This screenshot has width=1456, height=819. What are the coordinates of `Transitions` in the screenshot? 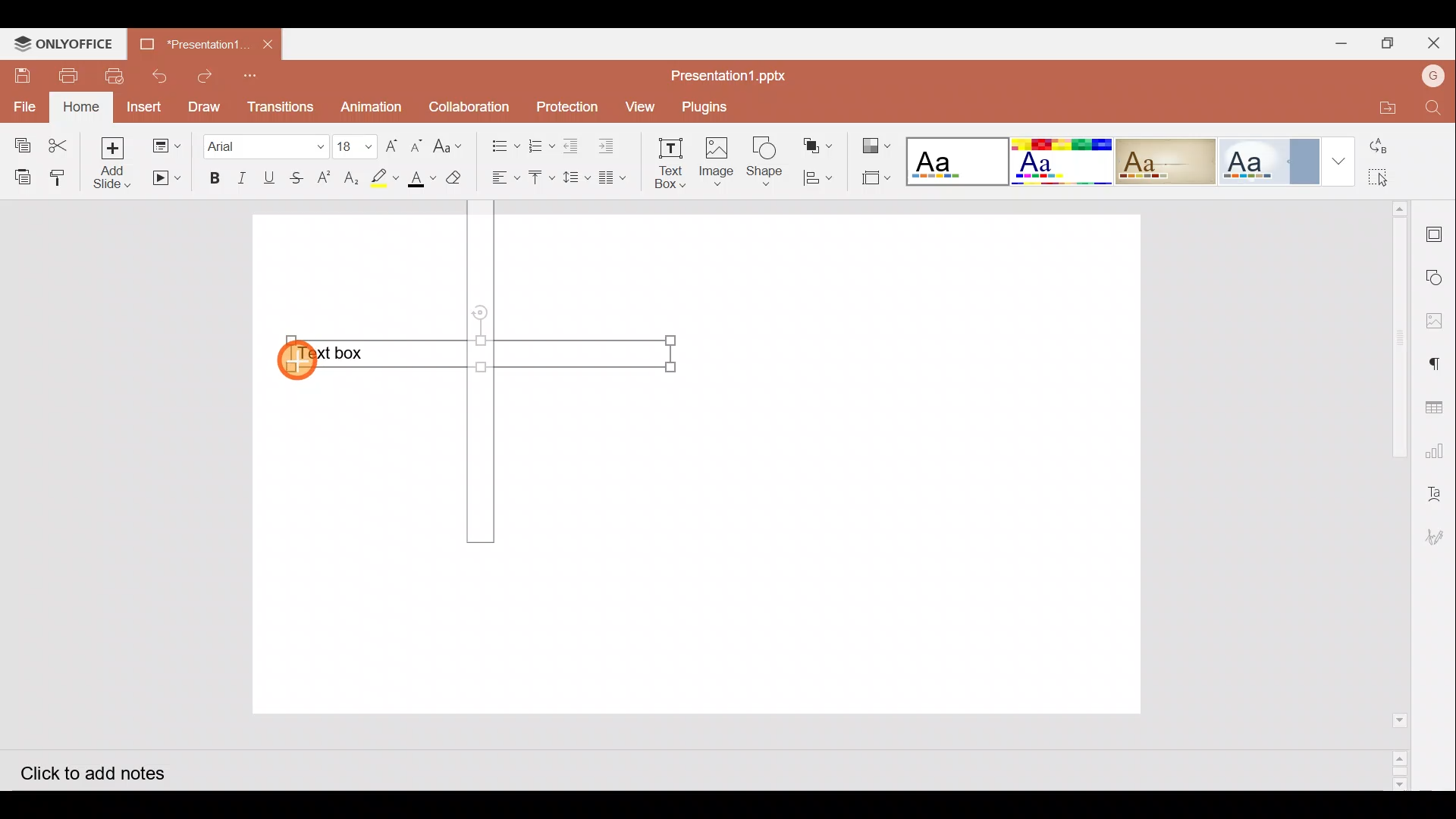 It's located at (278, 106).